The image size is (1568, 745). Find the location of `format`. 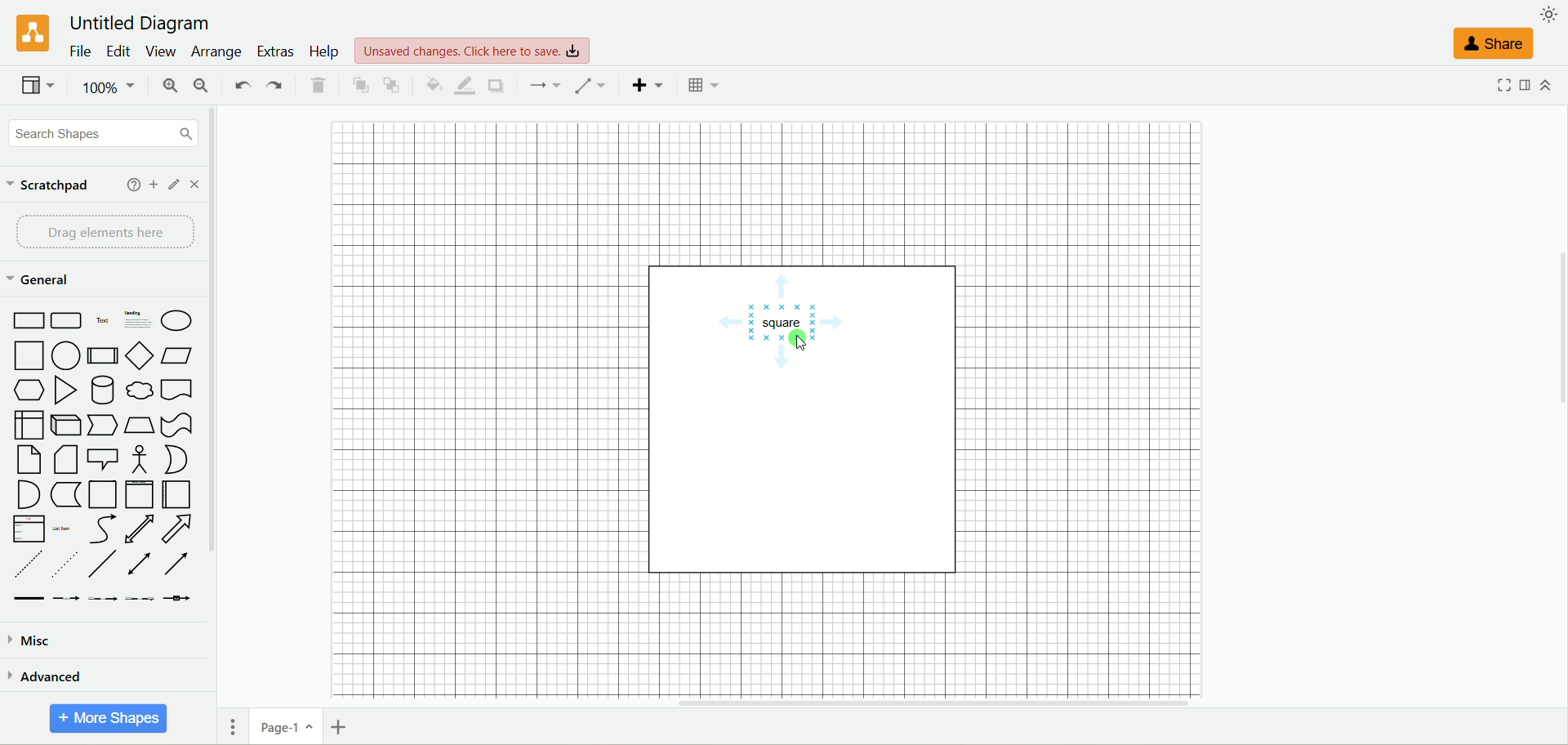

format is located at coordinates (1523, 84).